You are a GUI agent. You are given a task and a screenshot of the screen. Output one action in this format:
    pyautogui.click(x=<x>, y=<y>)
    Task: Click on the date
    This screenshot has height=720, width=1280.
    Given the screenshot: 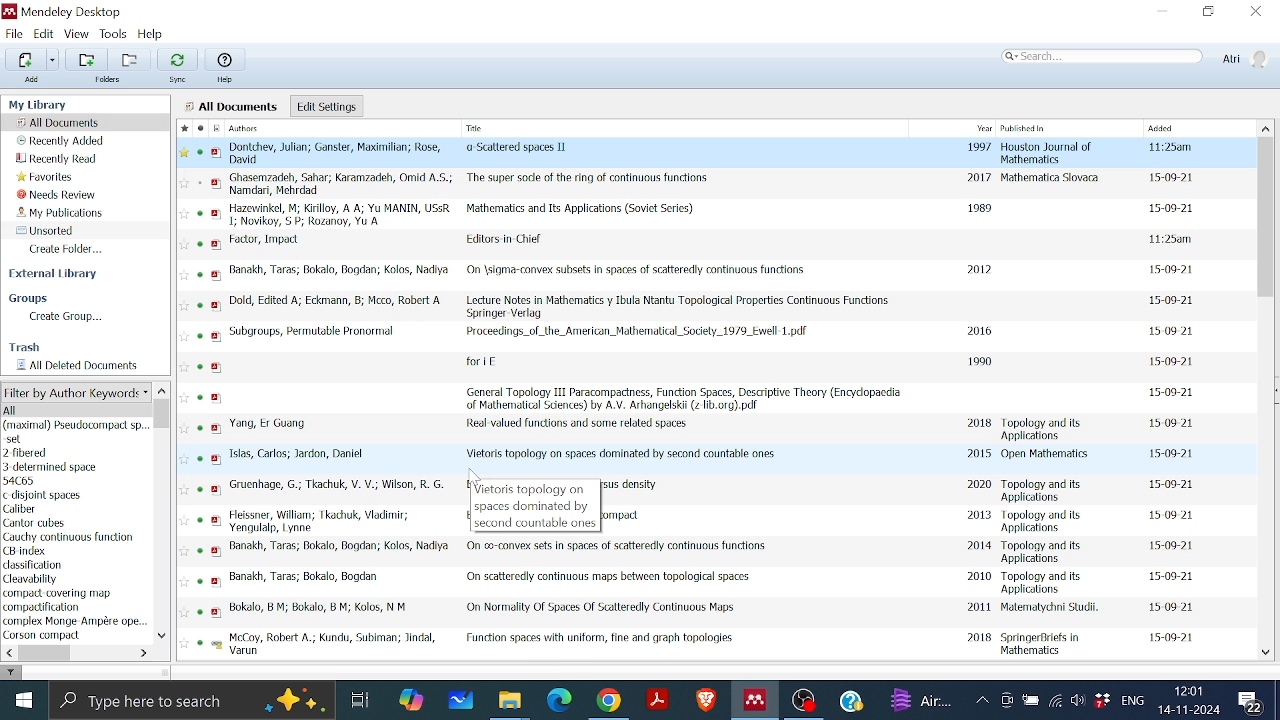 What is the action you would take?
    pyautogui.click(x=1167, y=636)
    